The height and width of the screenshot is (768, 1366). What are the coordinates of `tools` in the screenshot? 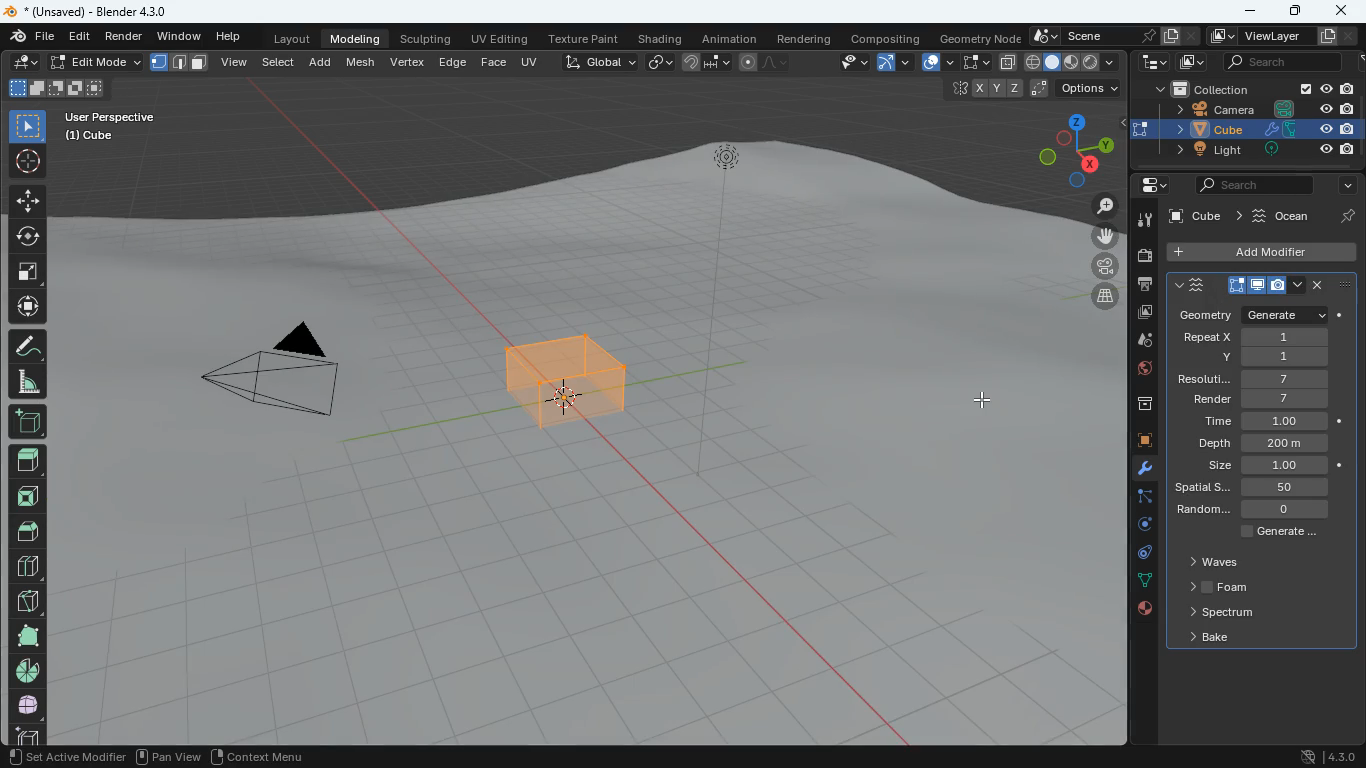 It's located at (1135, 471).